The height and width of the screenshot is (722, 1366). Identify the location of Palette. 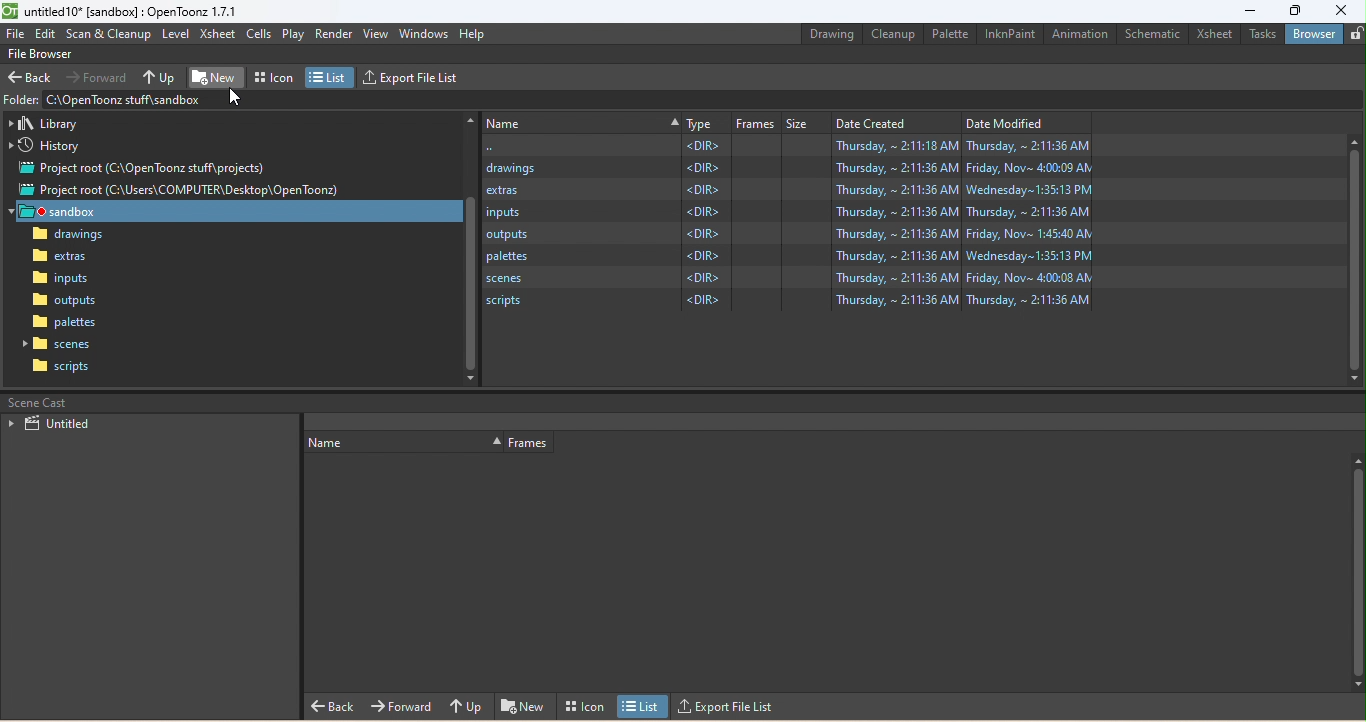
(948, 33).